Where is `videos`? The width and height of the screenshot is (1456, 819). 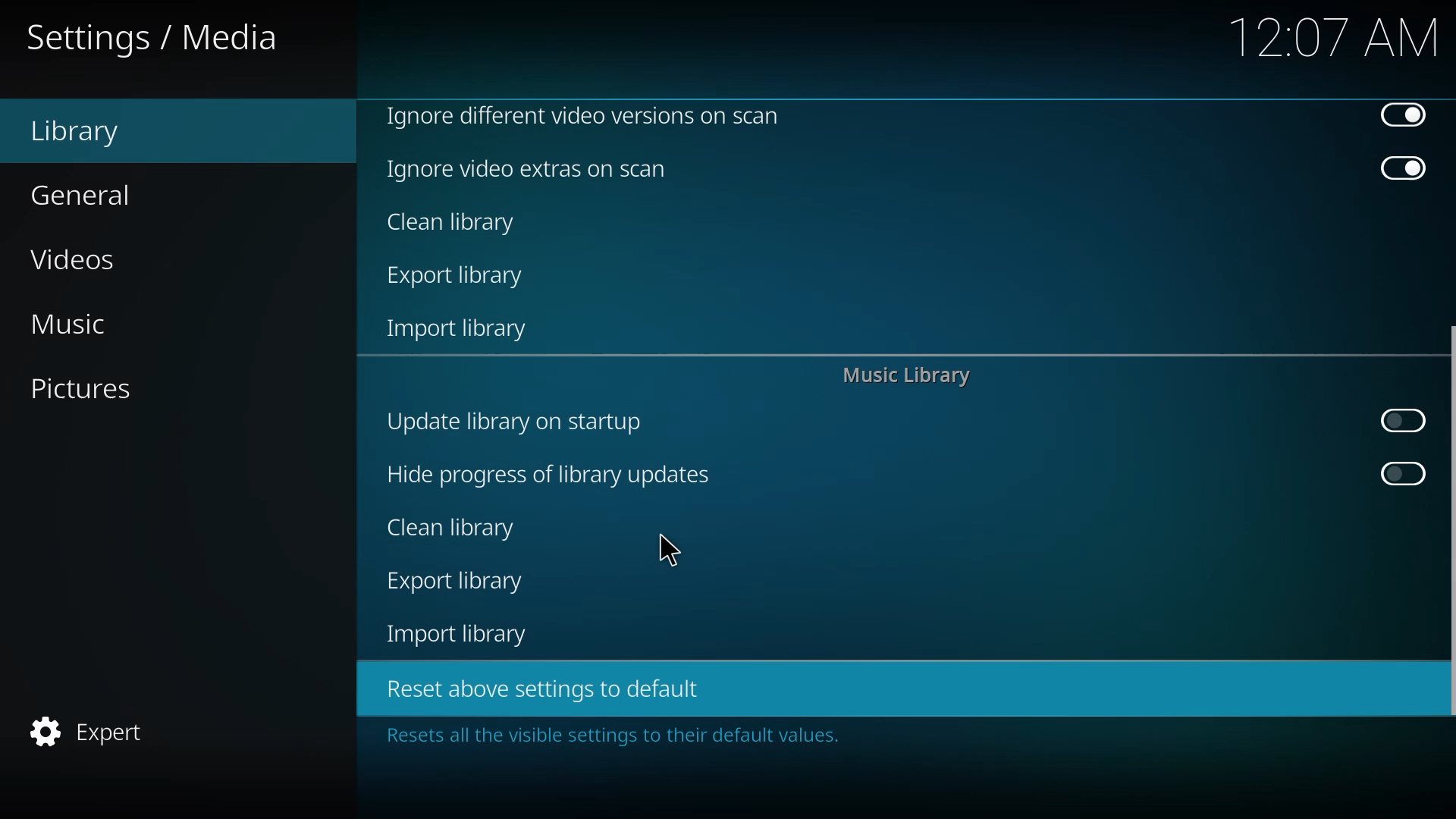
videos is located at coordinates (76, 262).